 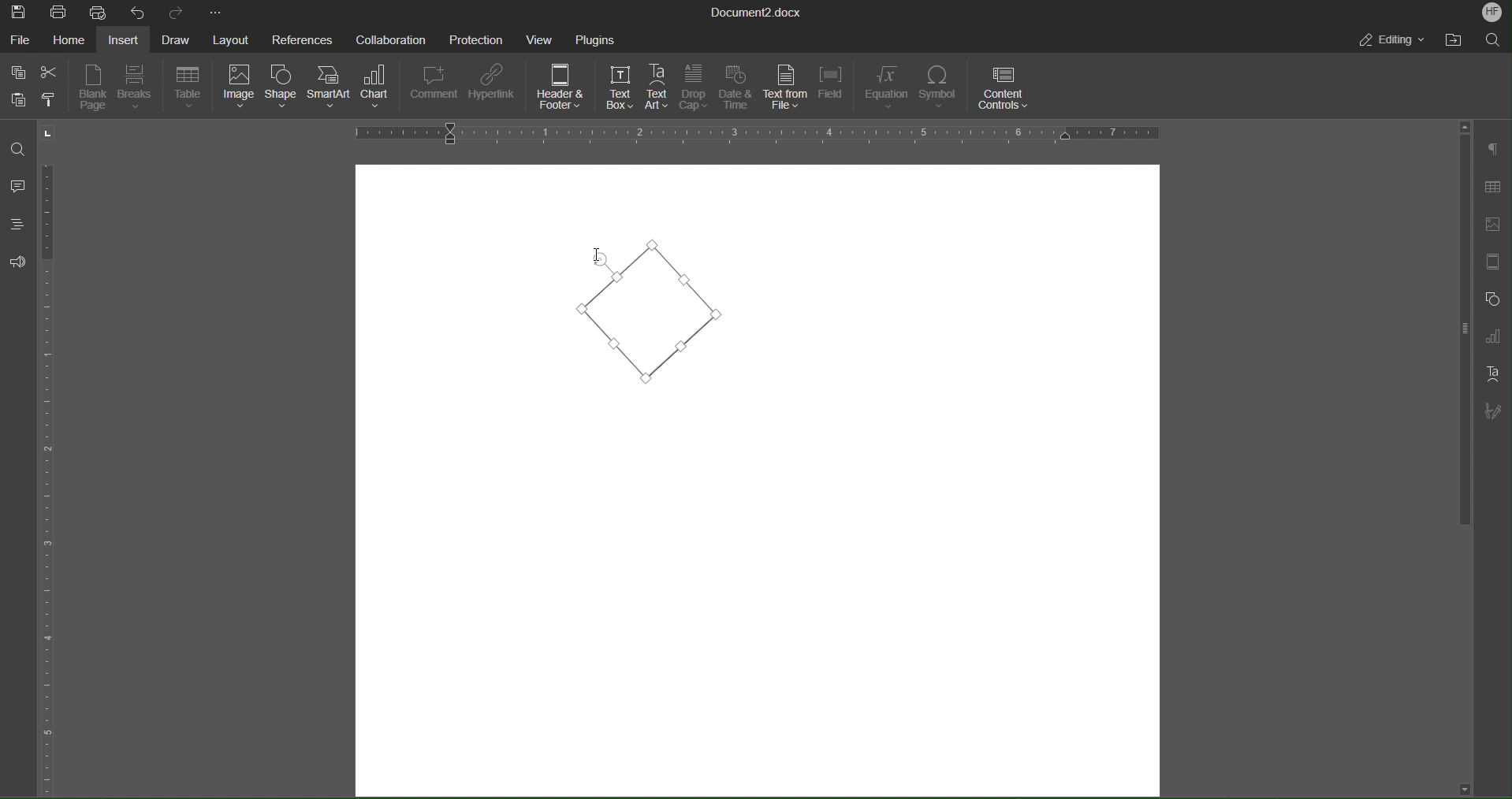 I want to click on Signature, so click(x=1492, y=412).